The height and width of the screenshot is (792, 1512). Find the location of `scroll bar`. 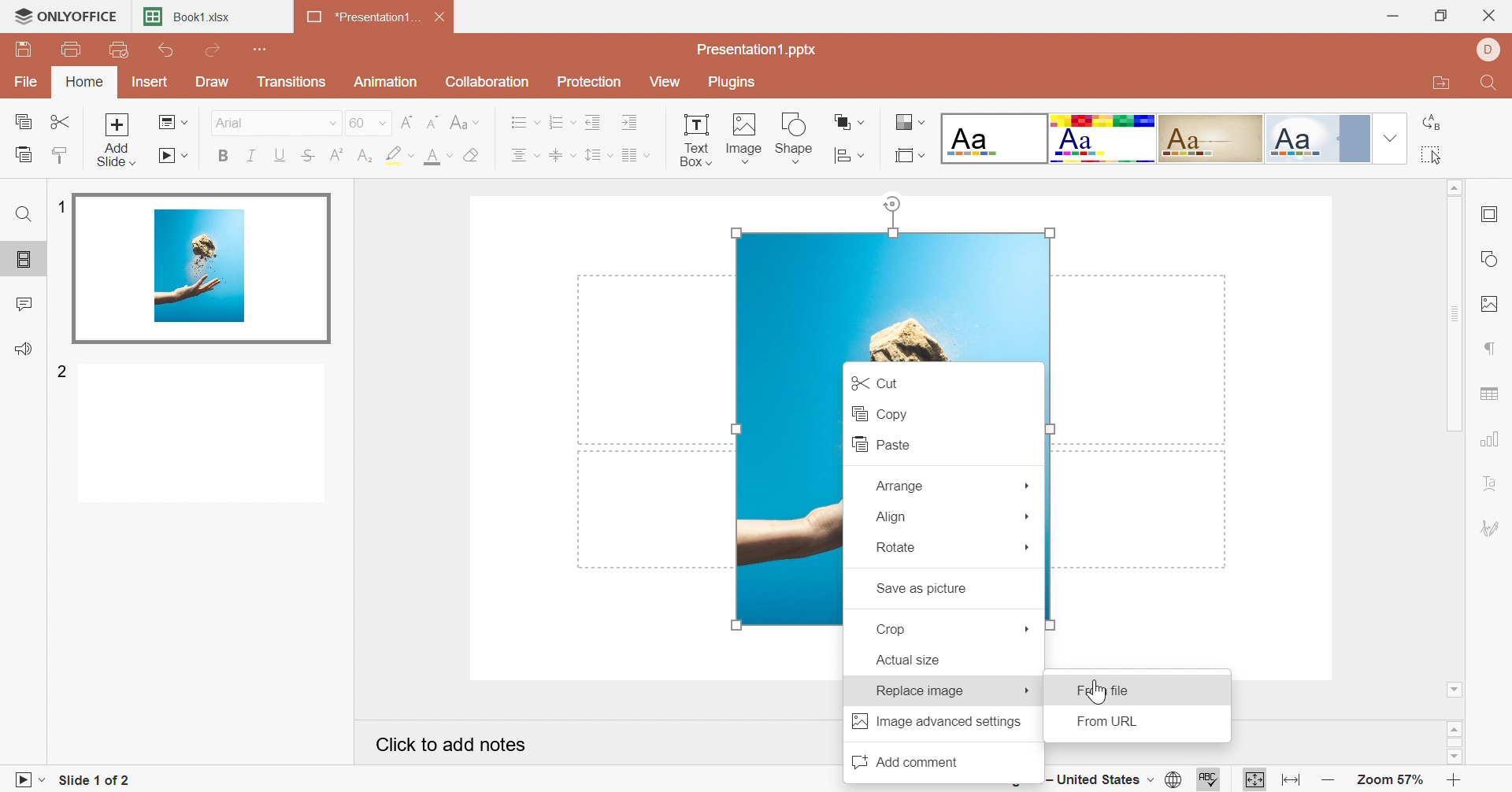

scroll bar is located at coordinates (1455, 742).